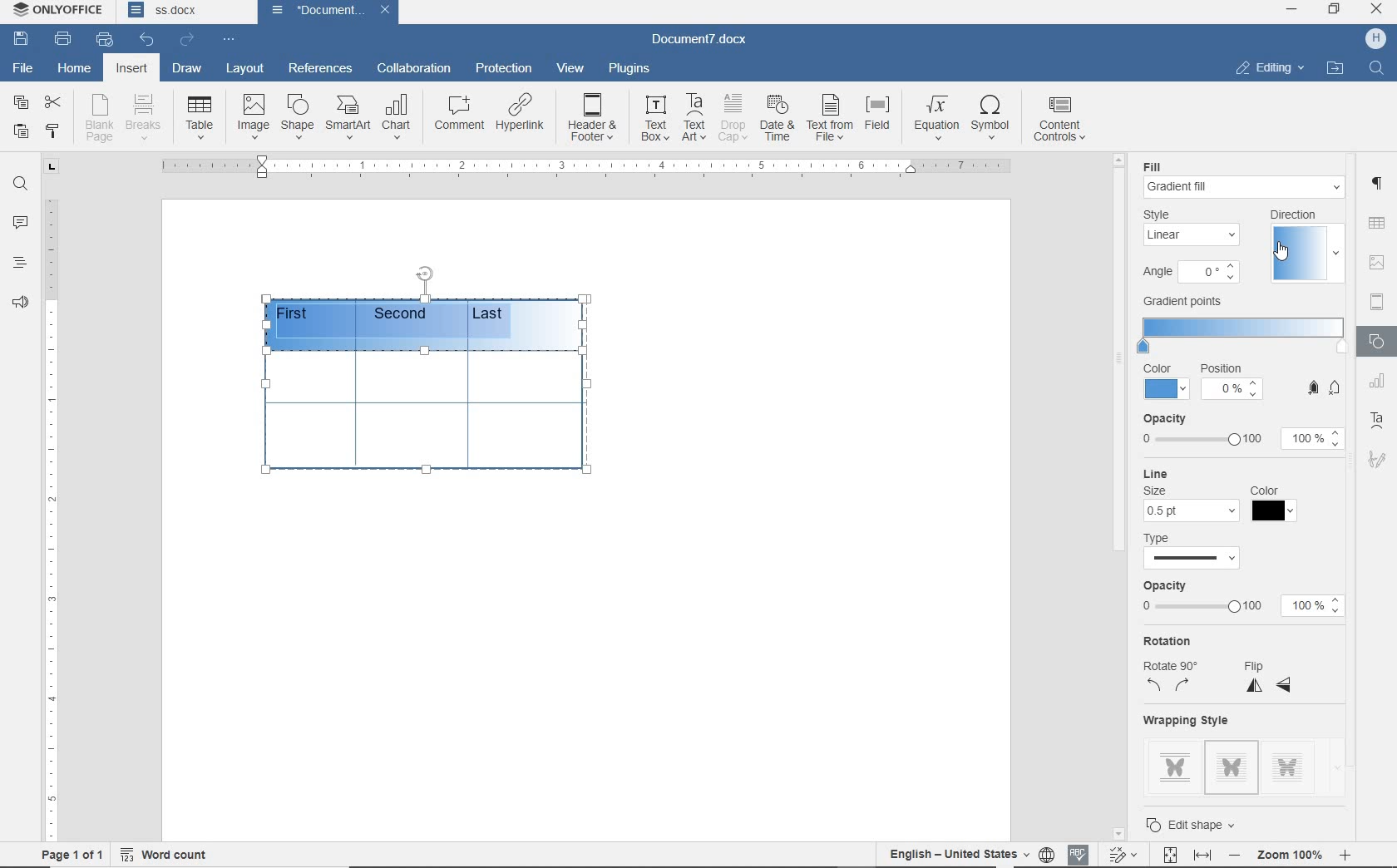 This screenshot has height=868, width=1397. I want to click on color, so click(1266, 488).